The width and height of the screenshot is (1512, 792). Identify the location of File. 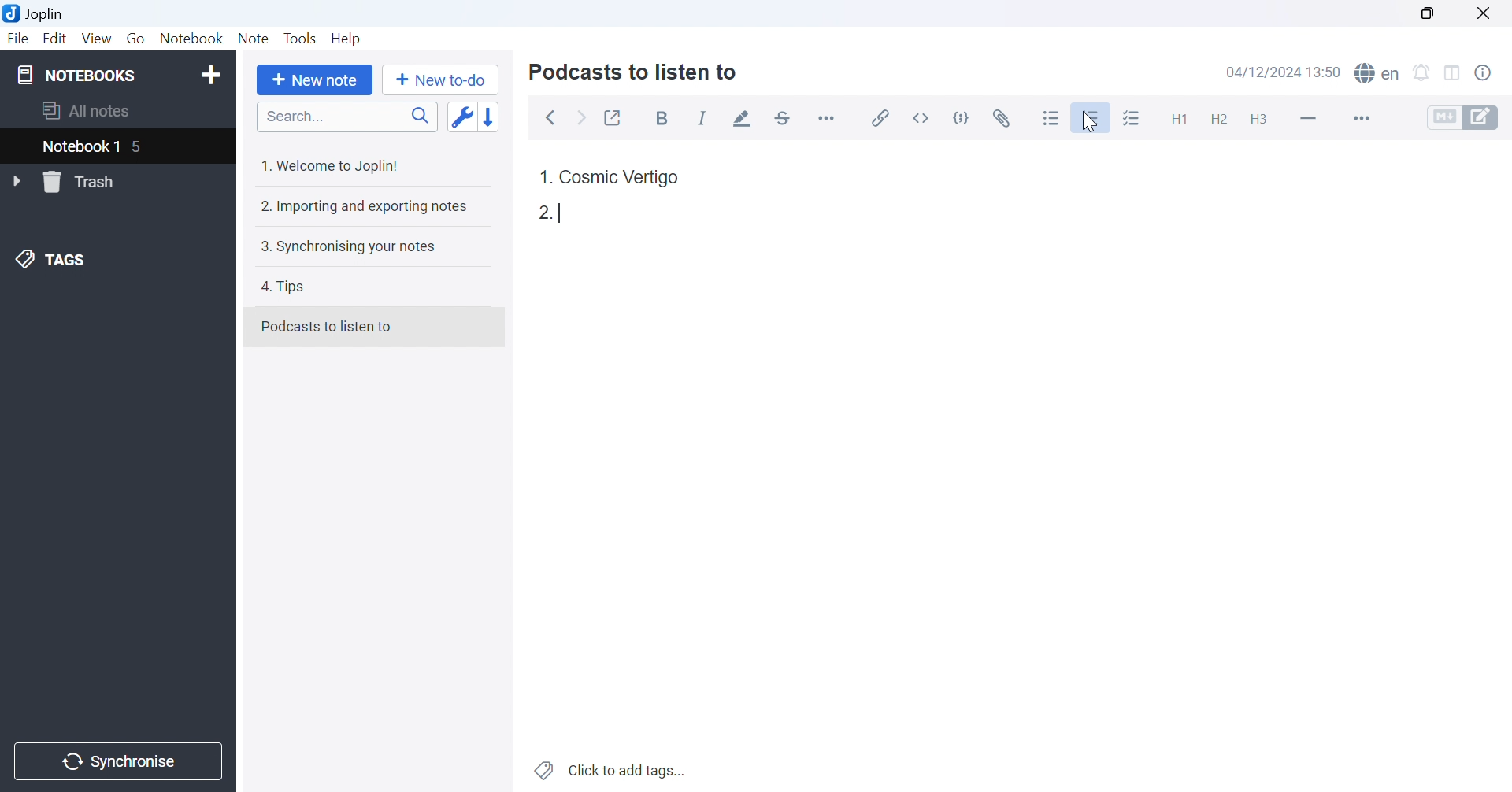
(18, 40).